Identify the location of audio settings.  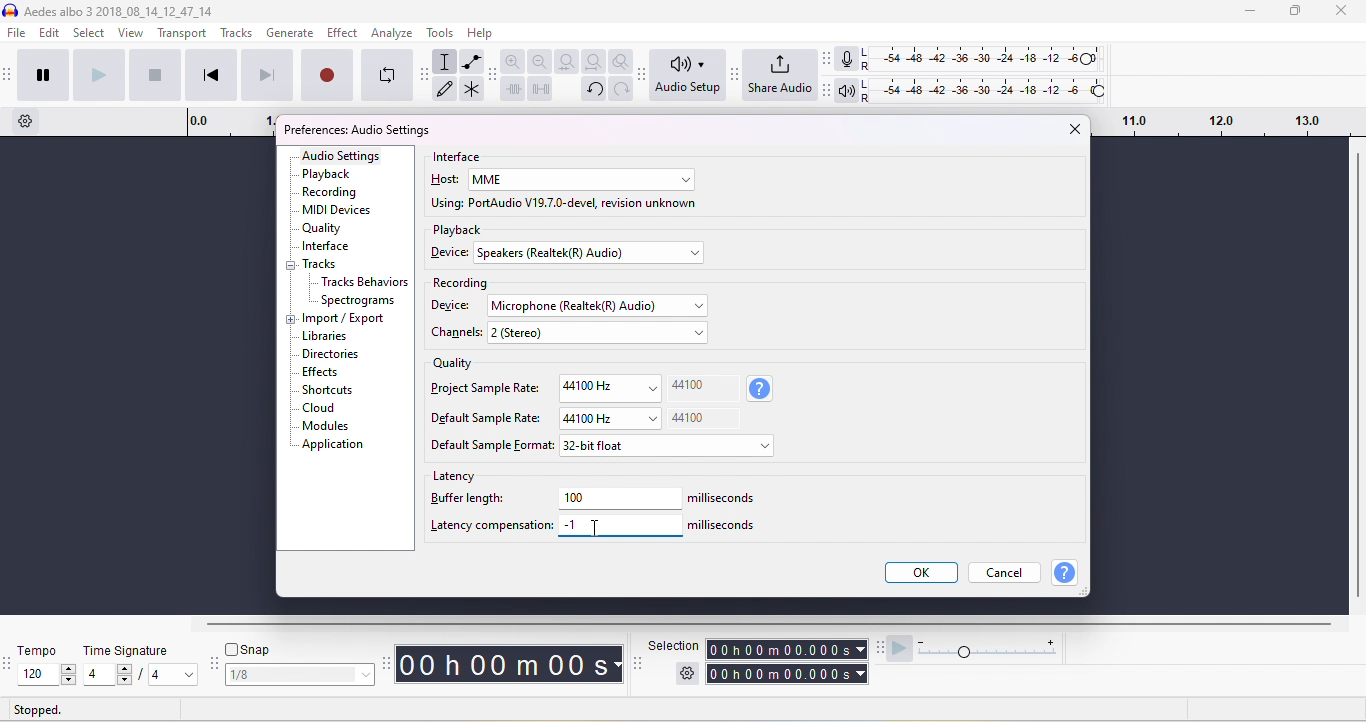
(342, 156).